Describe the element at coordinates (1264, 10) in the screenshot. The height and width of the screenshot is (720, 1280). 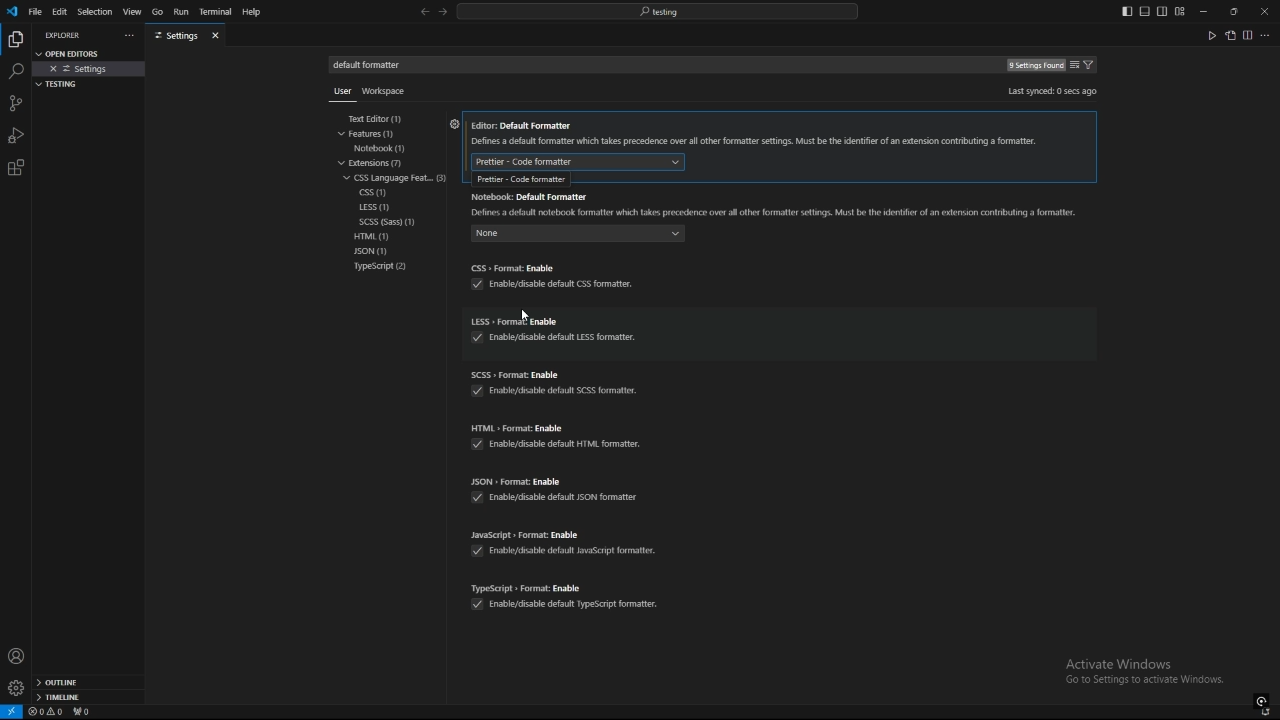
I see `close` at that location.